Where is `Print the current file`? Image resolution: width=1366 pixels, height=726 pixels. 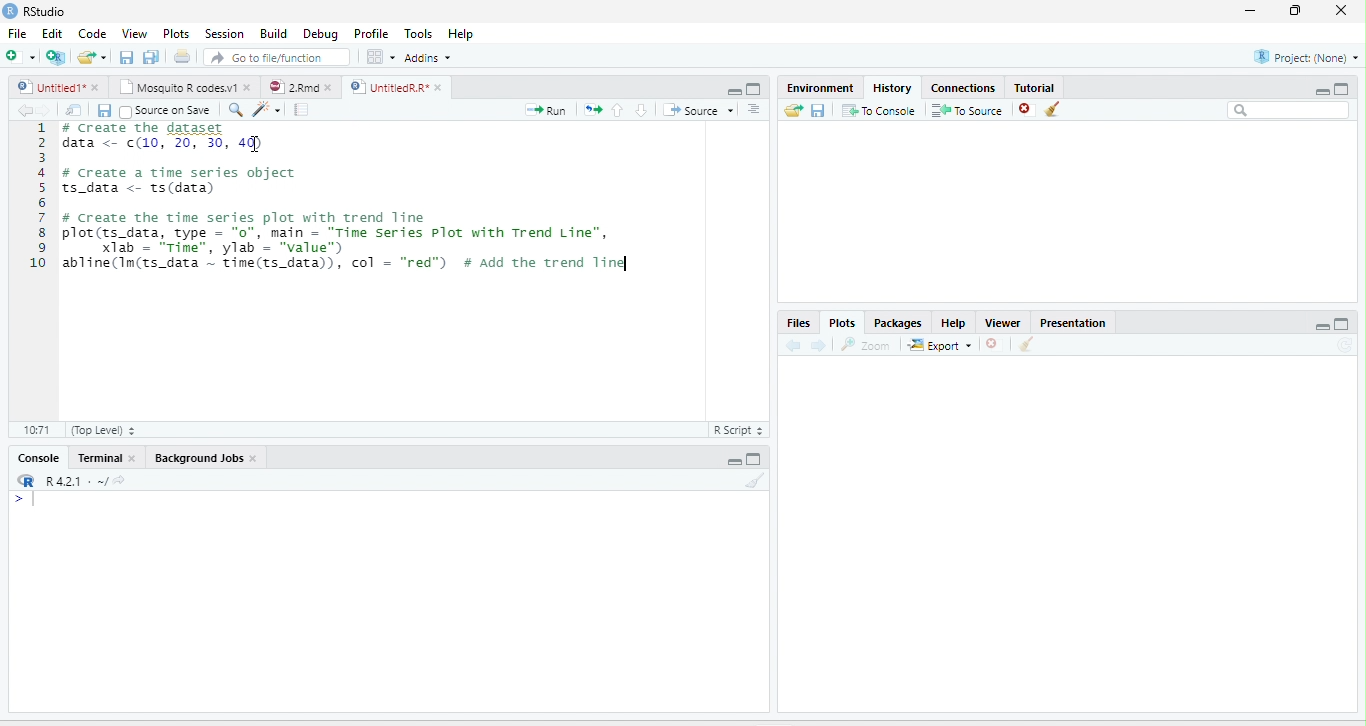 Print the current file is located at coordinates (181, 56).